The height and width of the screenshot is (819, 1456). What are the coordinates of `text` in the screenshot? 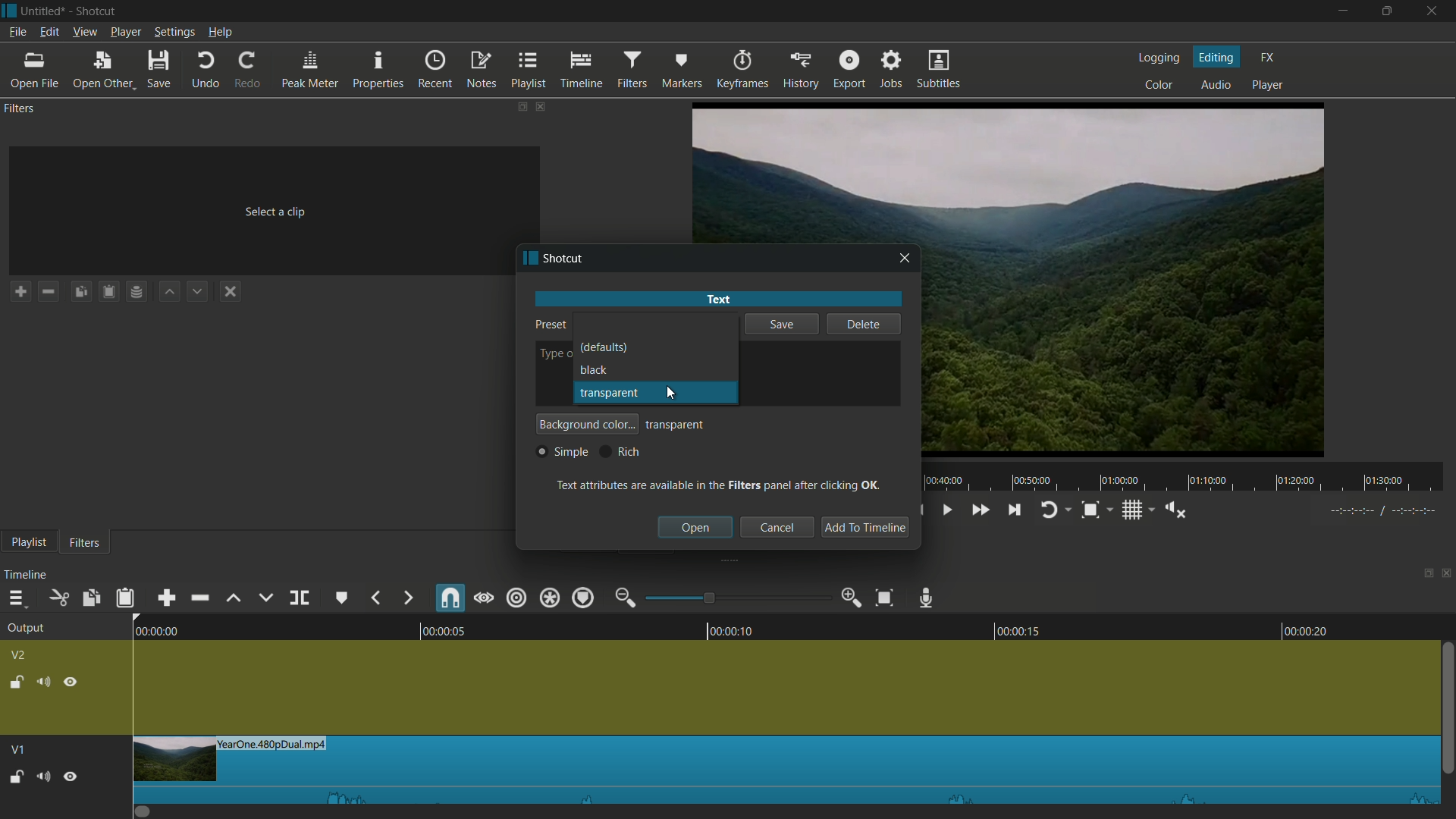 It's located at (717, 299).